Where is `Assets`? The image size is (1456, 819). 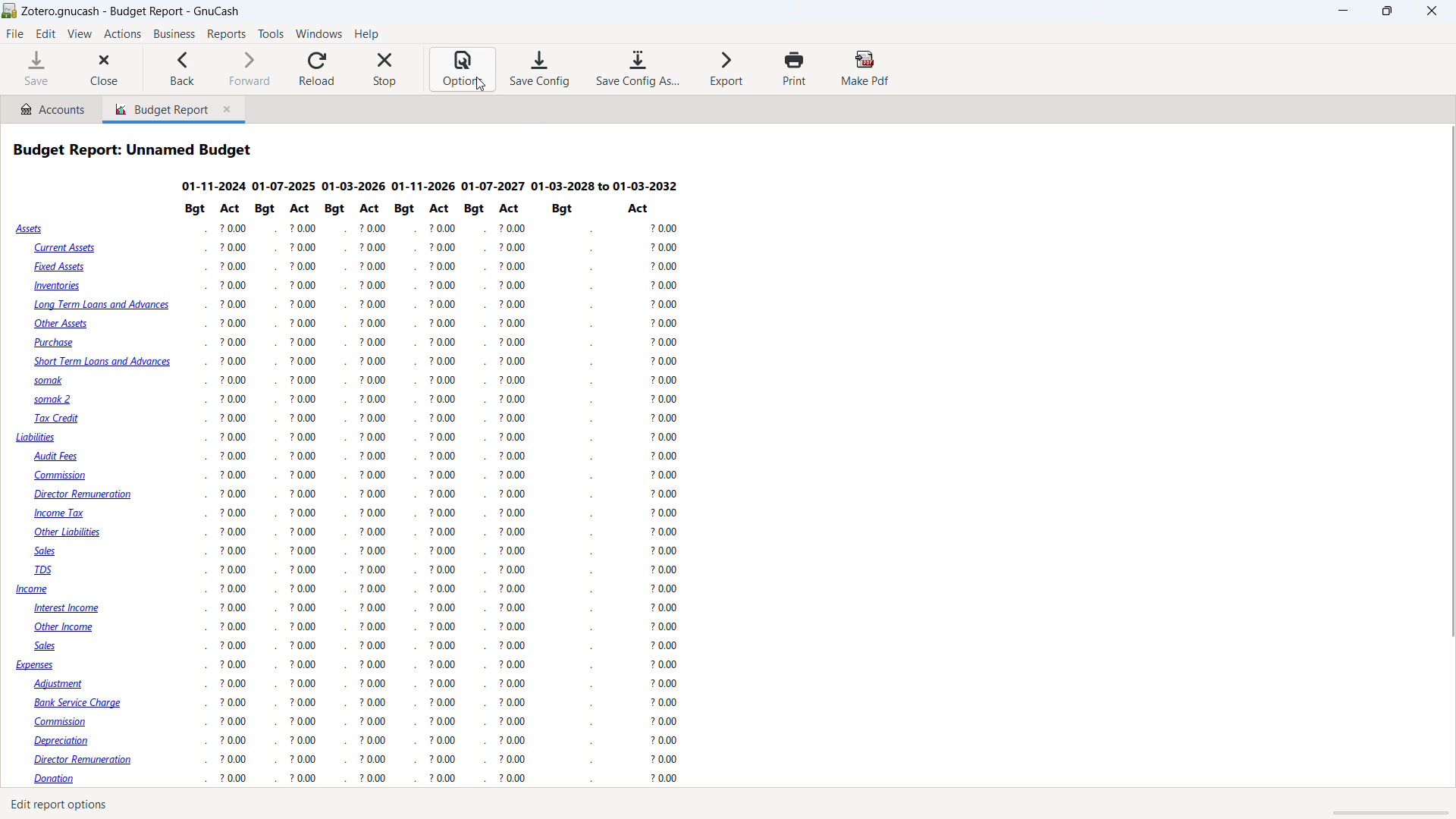
Assets is located at coordinates (31, 229).